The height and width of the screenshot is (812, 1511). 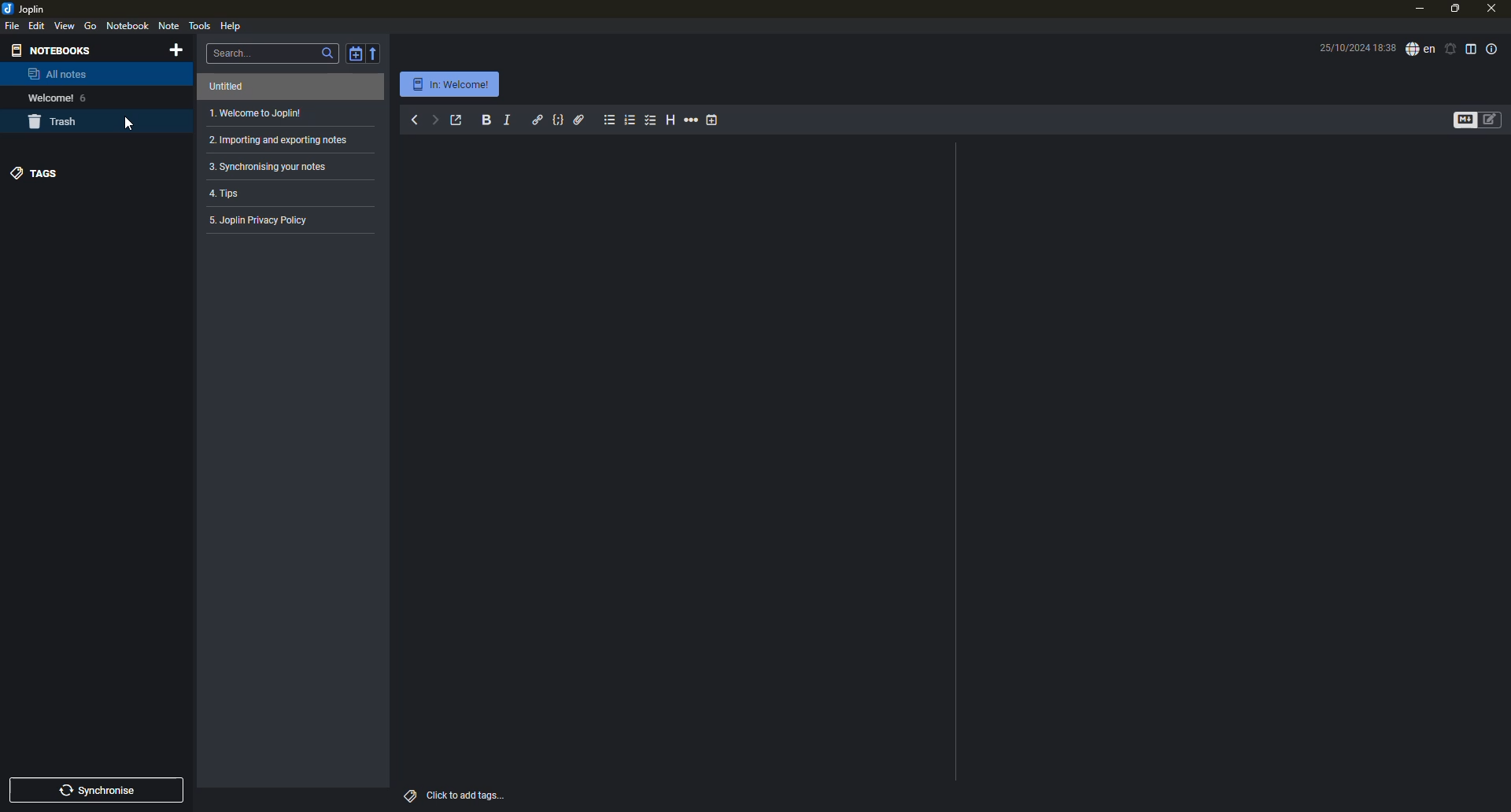 What do you see at coordinates (478, 793) in the screenshot?
I see `click to add tags` at bounding box center [478, 793].